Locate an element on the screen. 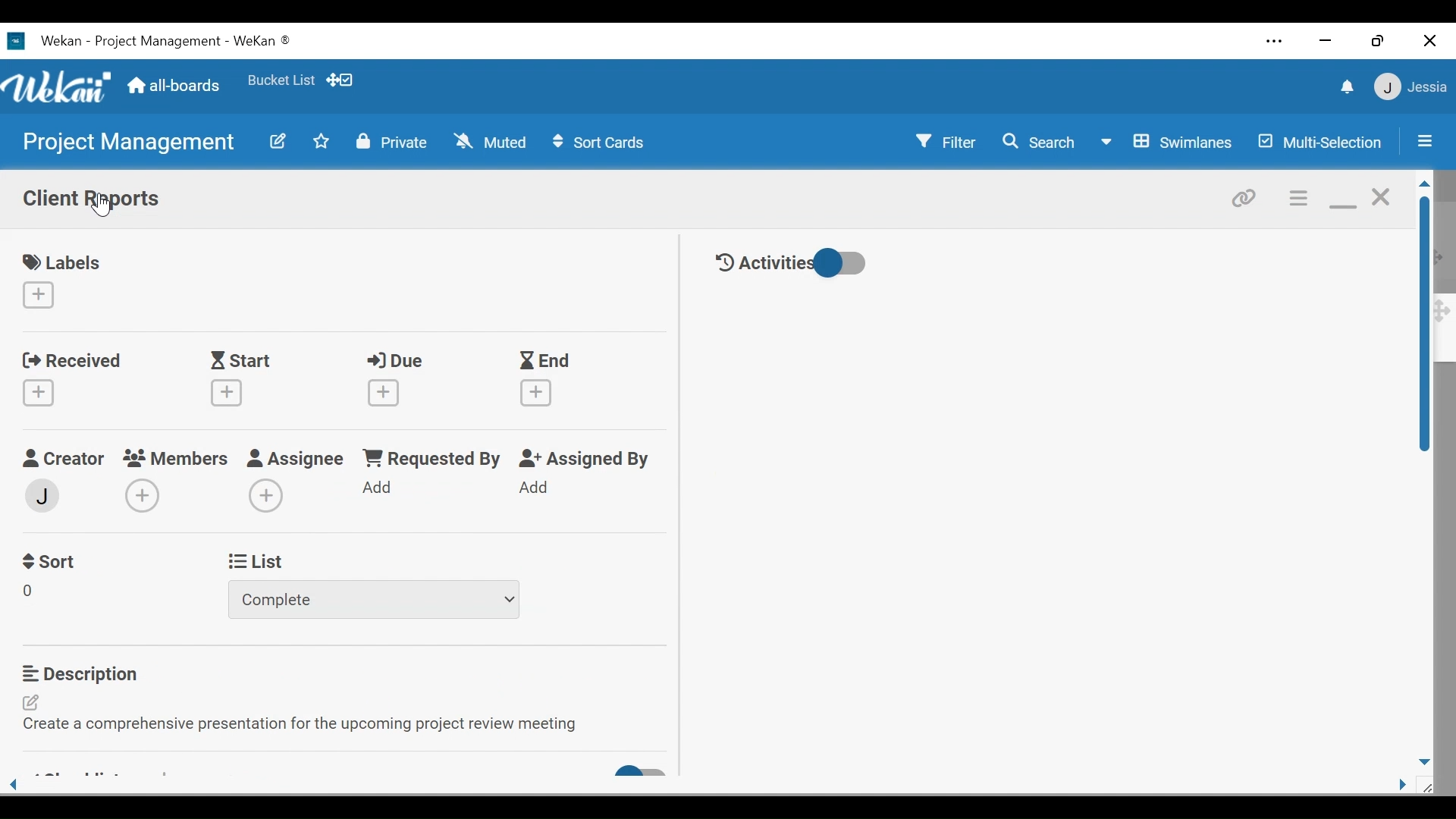 This screenshot has height=819, width=1456. Create Due date is located at coordinates (381, 391).